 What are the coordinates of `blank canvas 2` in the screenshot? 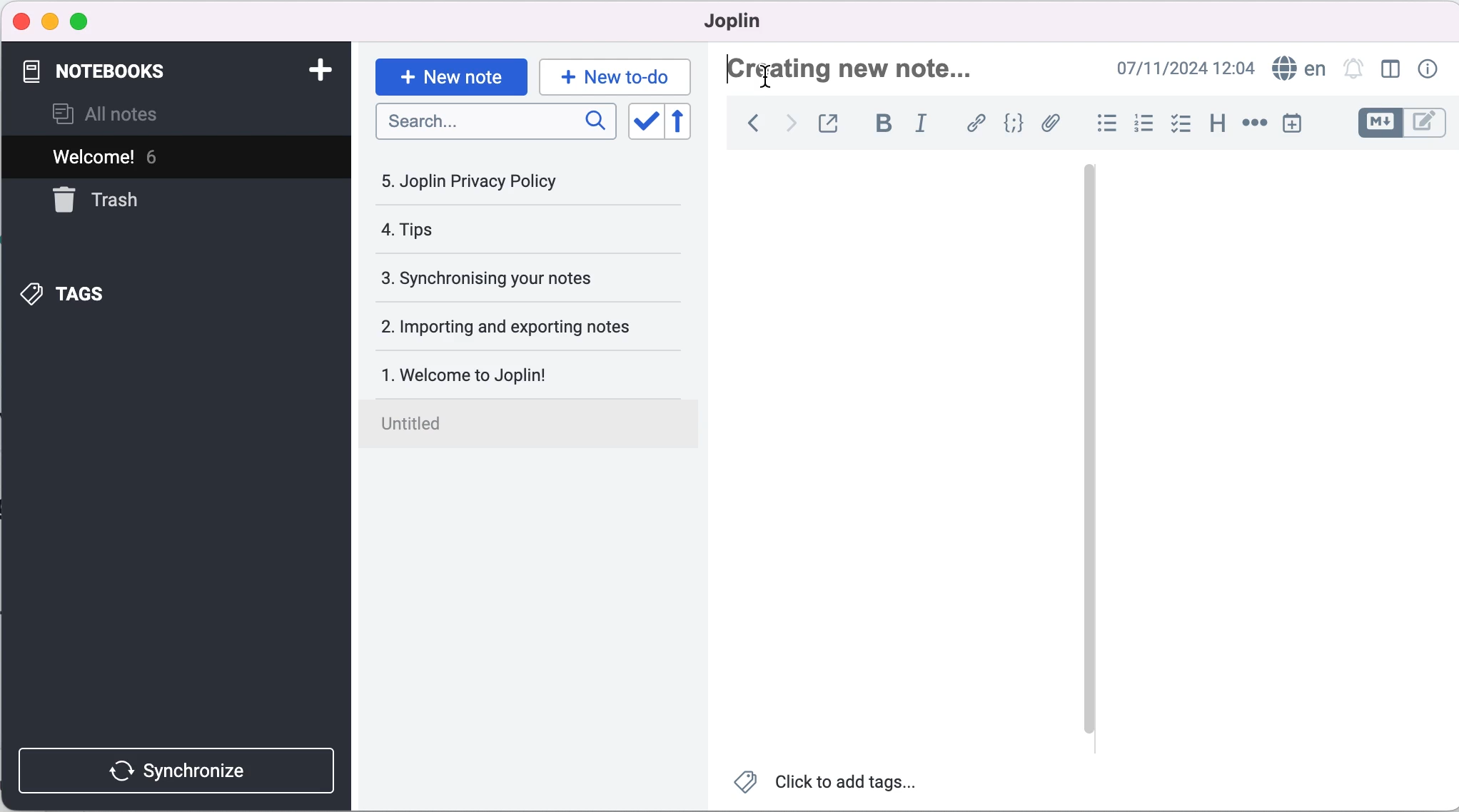 It's located at (1276, 460).